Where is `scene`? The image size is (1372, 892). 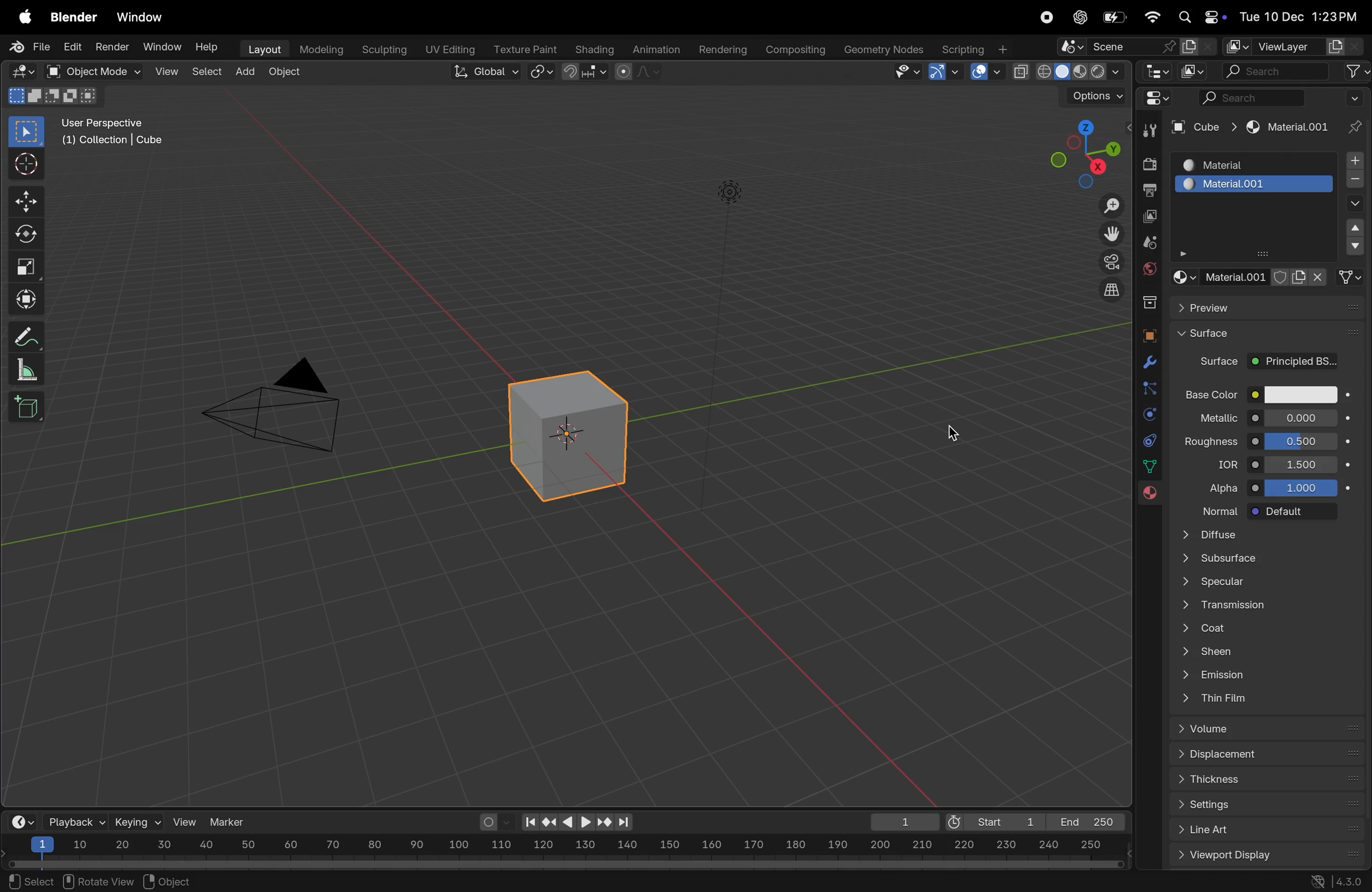 scene is located at coordinates (1137, 47).